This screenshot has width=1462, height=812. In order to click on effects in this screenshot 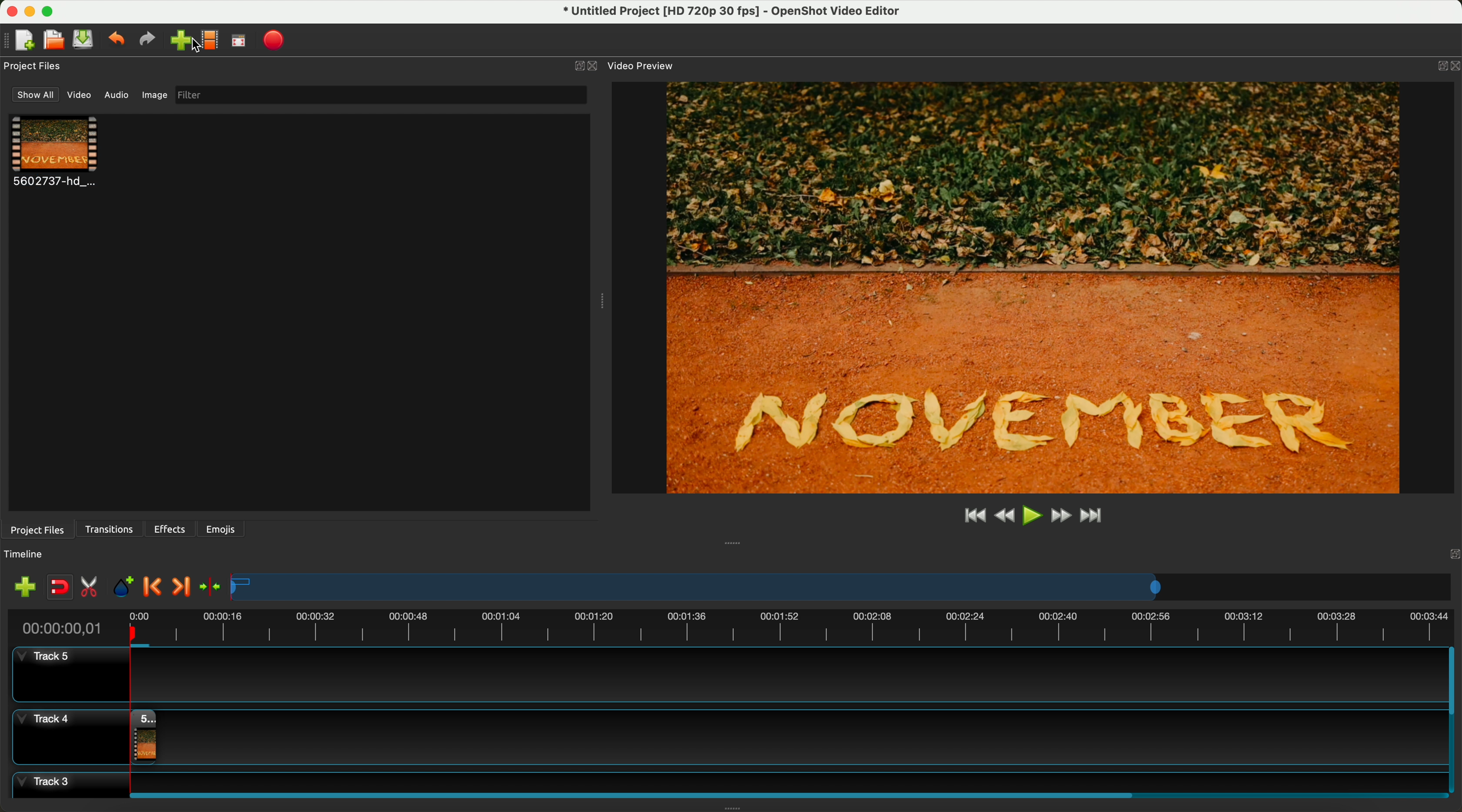, I will do `click(171, 529)`.